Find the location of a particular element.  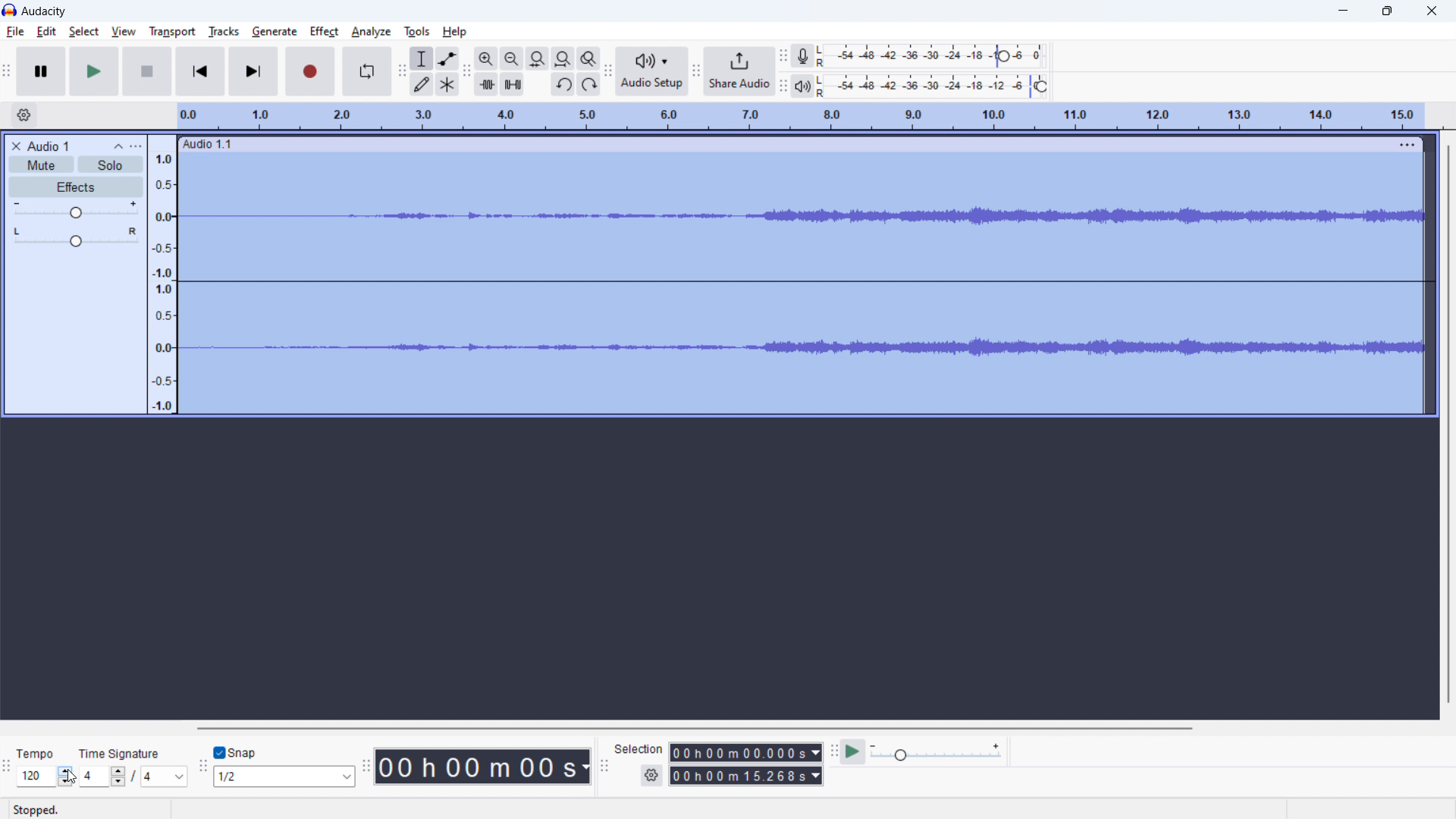

recording meter toolbar is located at coordinates (783, 56).